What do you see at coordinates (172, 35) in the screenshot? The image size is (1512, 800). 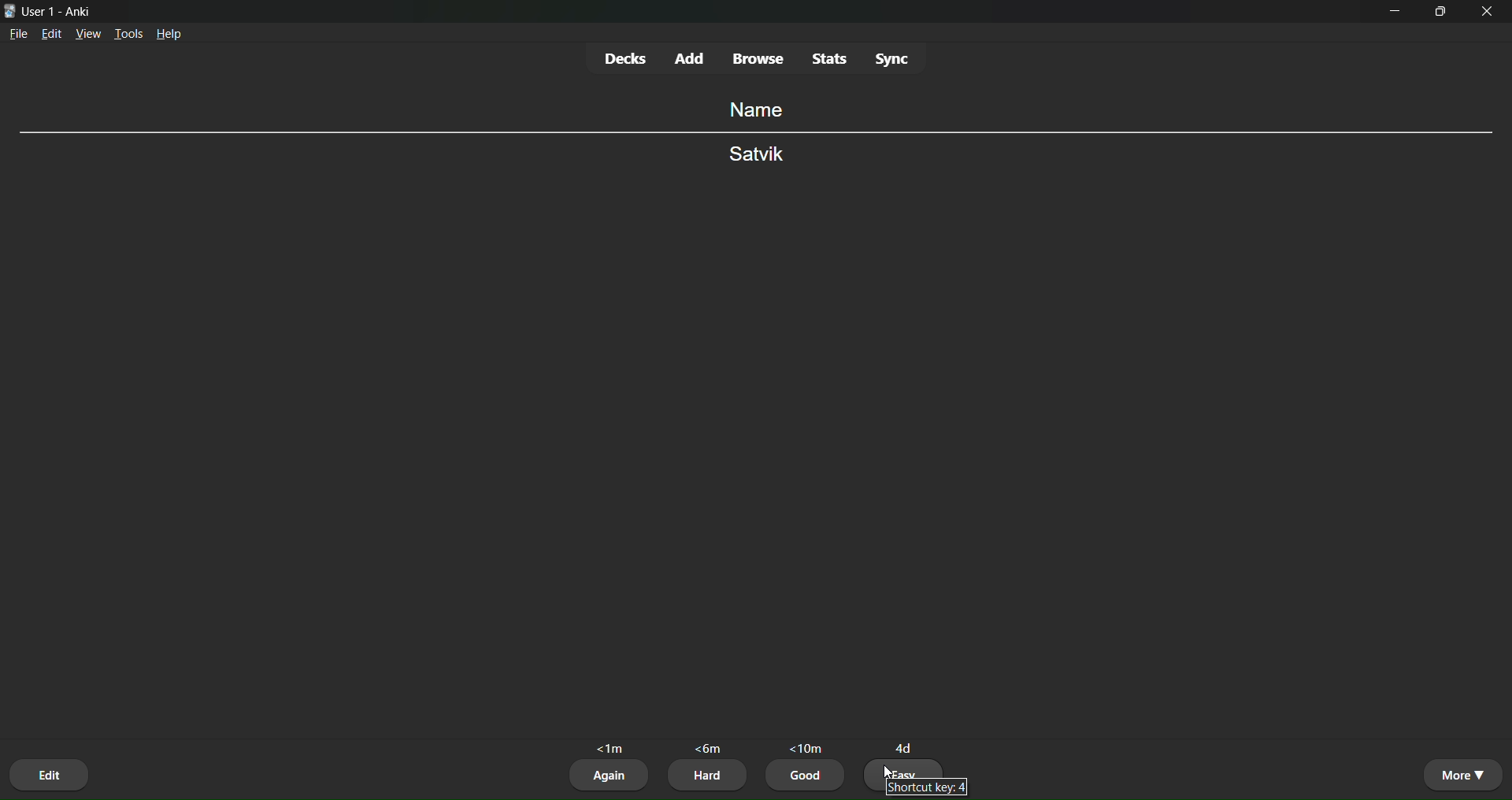 I see `help` at bounding box center [172, 35].